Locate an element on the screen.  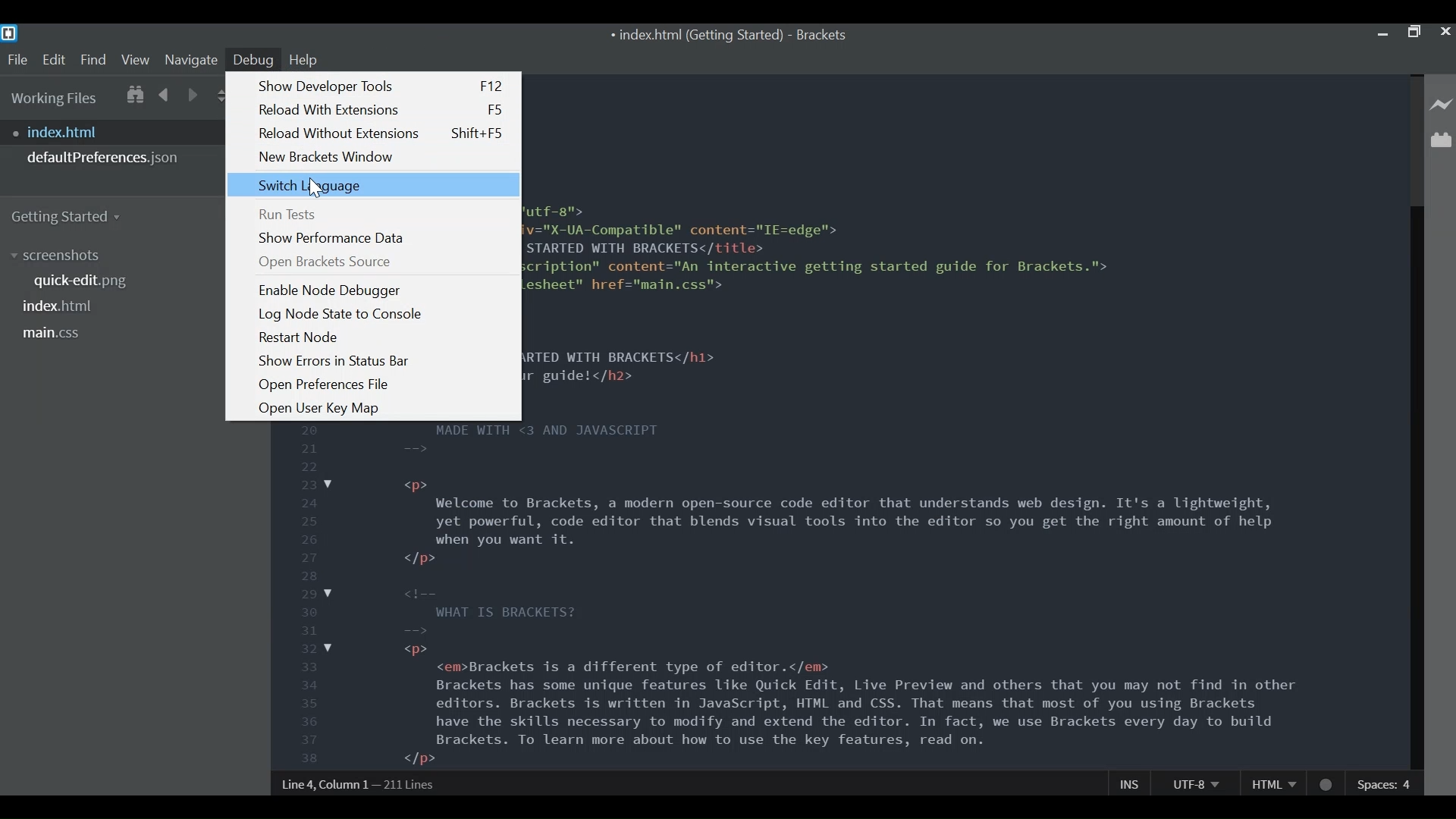
Open Brackets Source is located at coordinates (331, 263).